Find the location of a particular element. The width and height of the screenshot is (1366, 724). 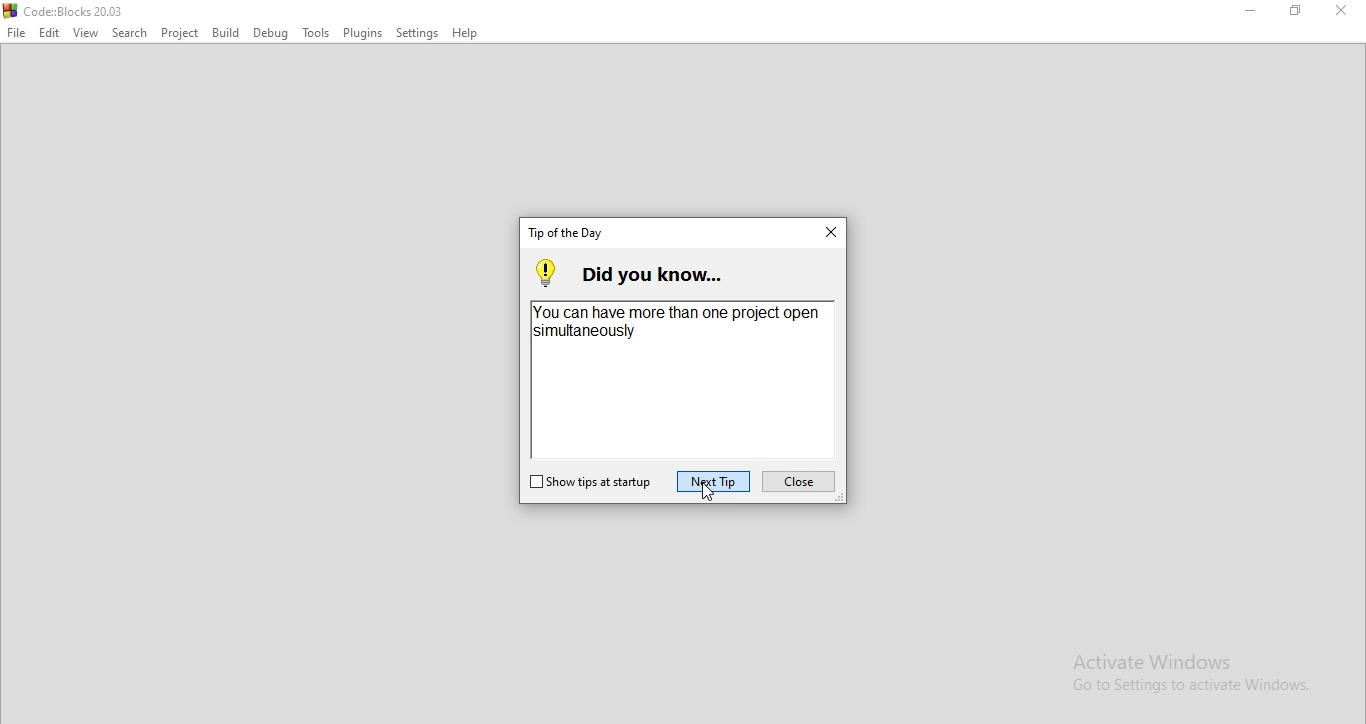

tab title is located at coordinates (567, 232).